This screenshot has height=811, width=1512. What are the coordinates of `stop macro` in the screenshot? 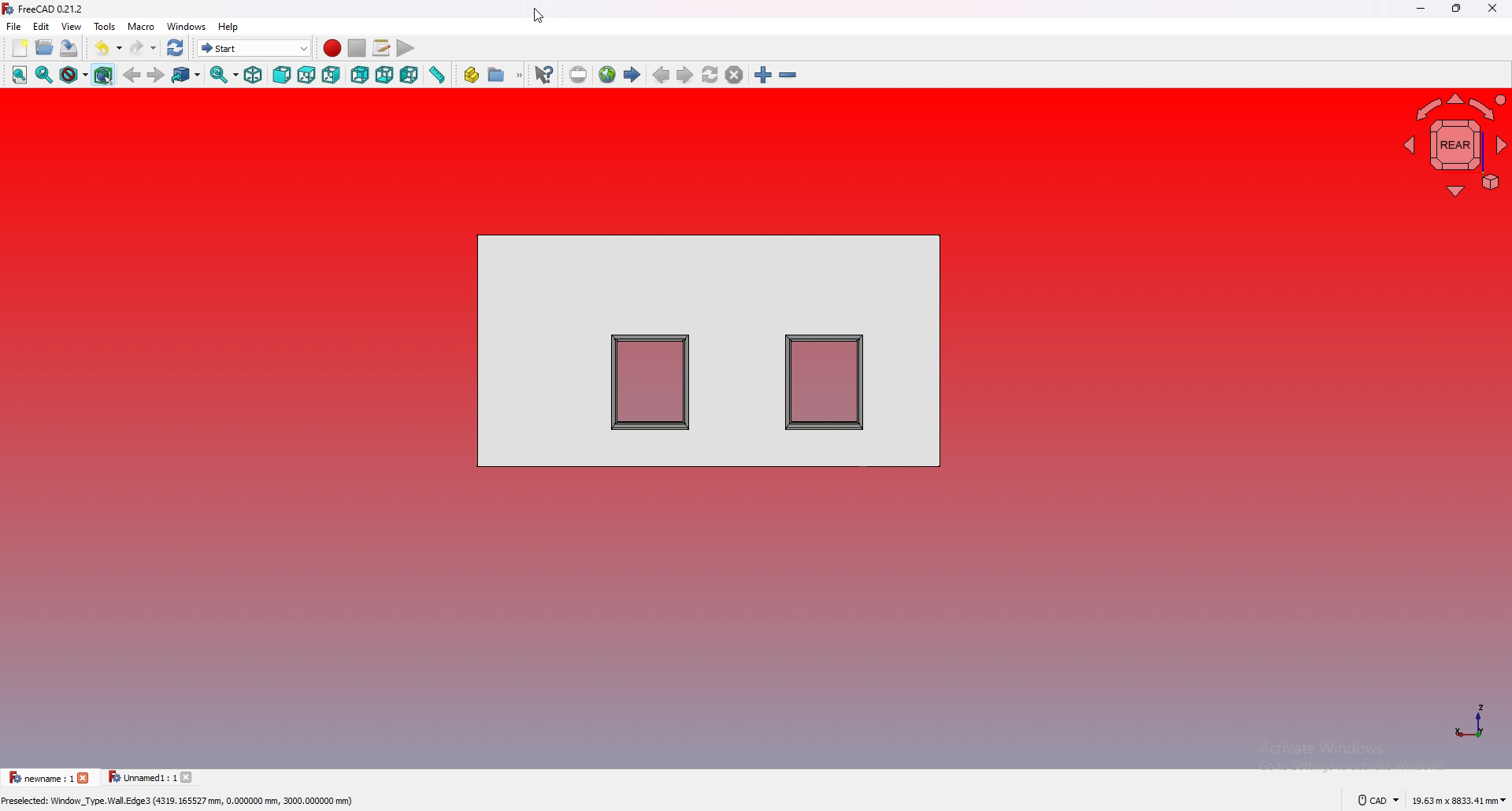 It's located at (358, 49).